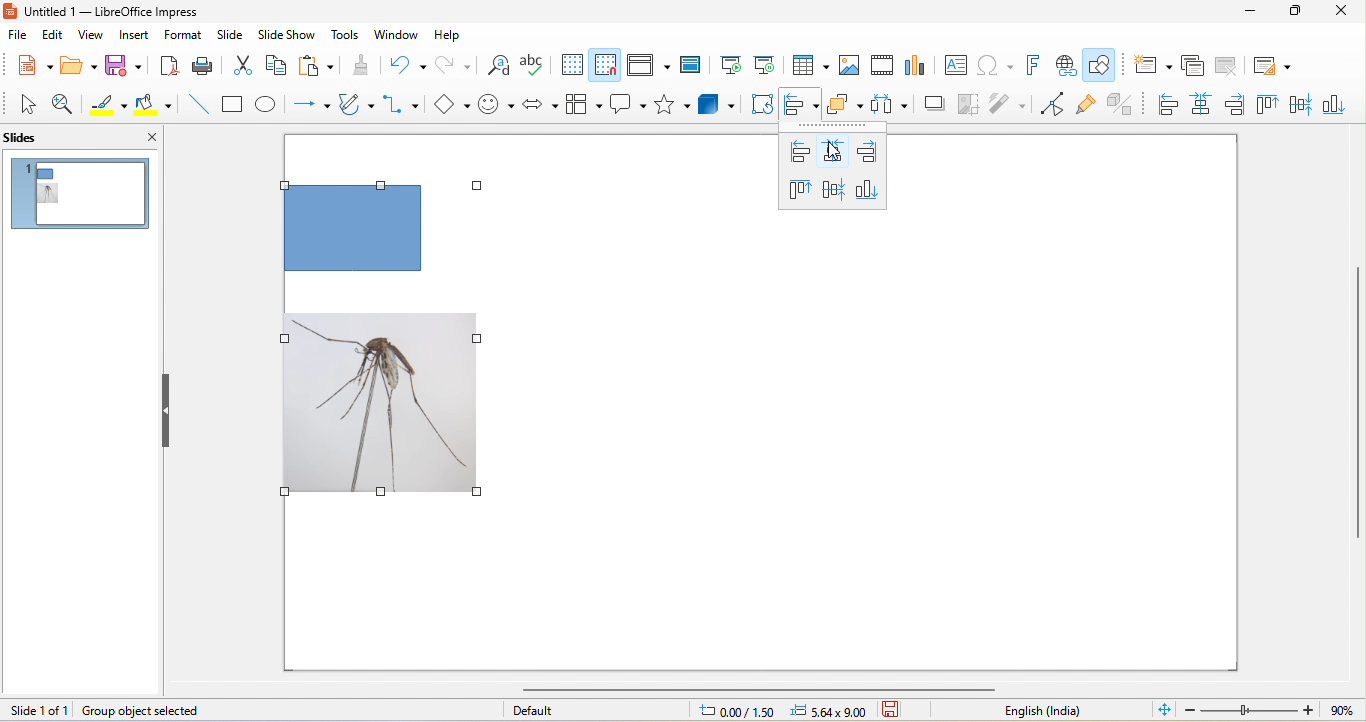 The image size is (1366, 722). I want to click on hide, so click(171, 409).